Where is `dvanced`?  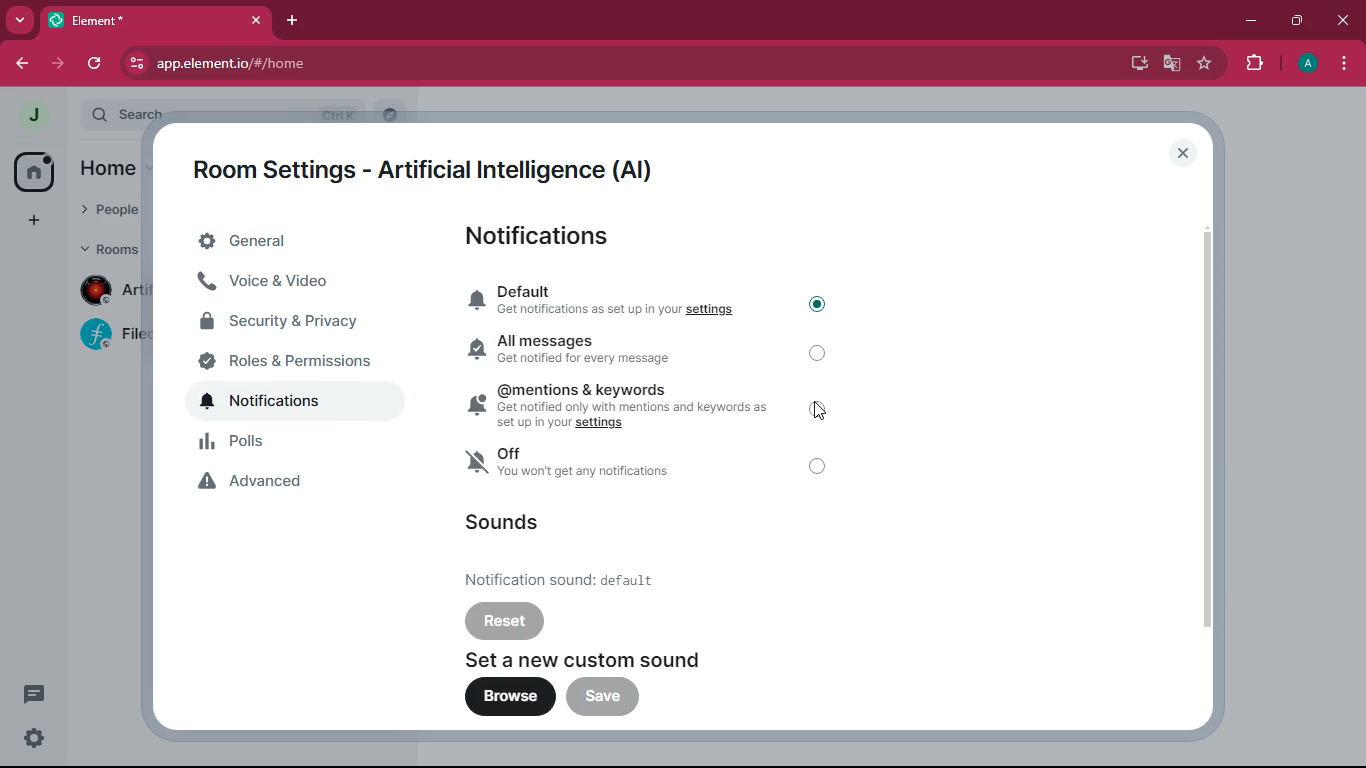
dvanced is located at coordinates (293, 484).